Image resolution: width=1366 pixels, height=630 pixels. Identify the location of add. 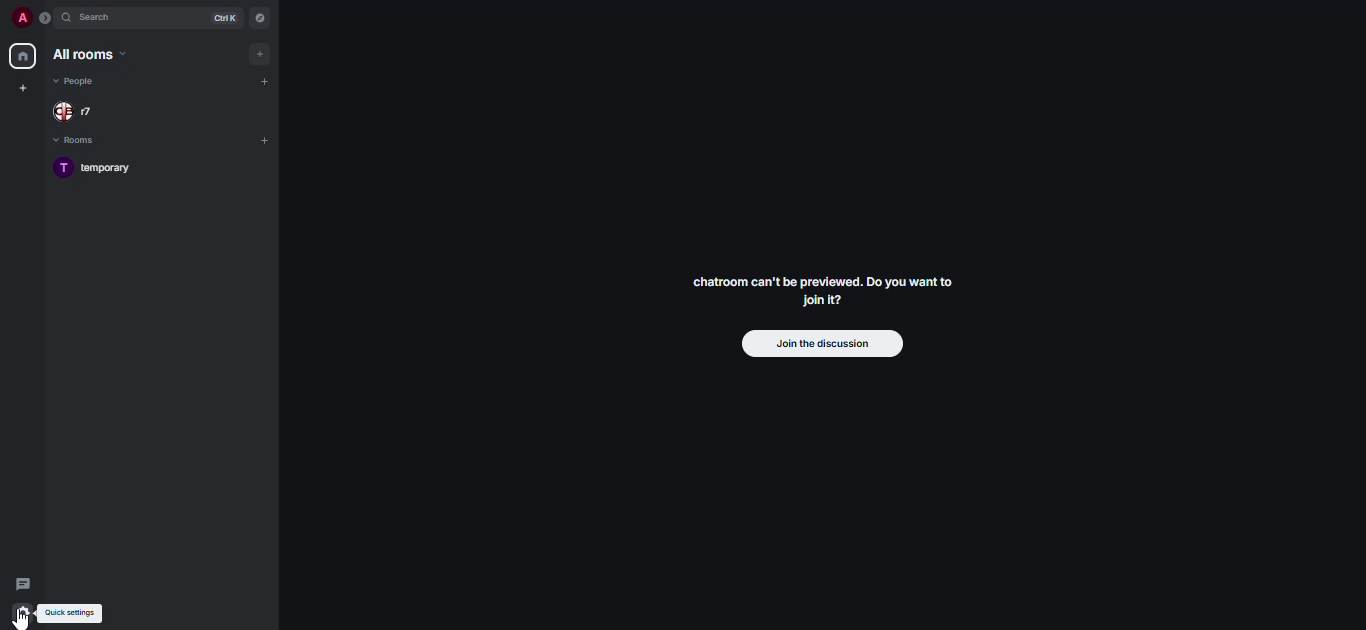
(266, 140).